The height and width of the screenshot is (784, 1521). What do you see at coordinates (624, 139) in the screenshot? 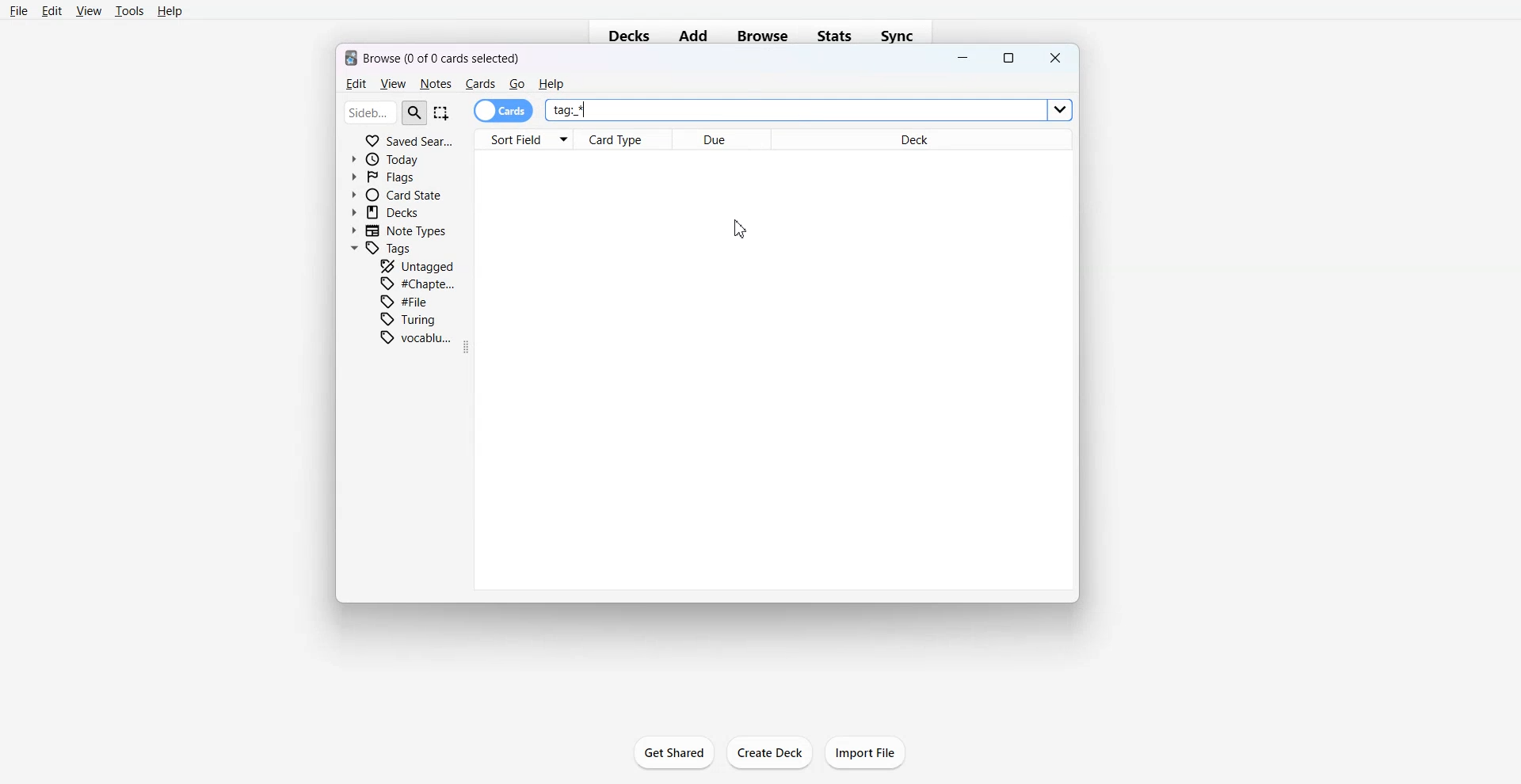
I see `Card Type` at bounding box center [624, 139].